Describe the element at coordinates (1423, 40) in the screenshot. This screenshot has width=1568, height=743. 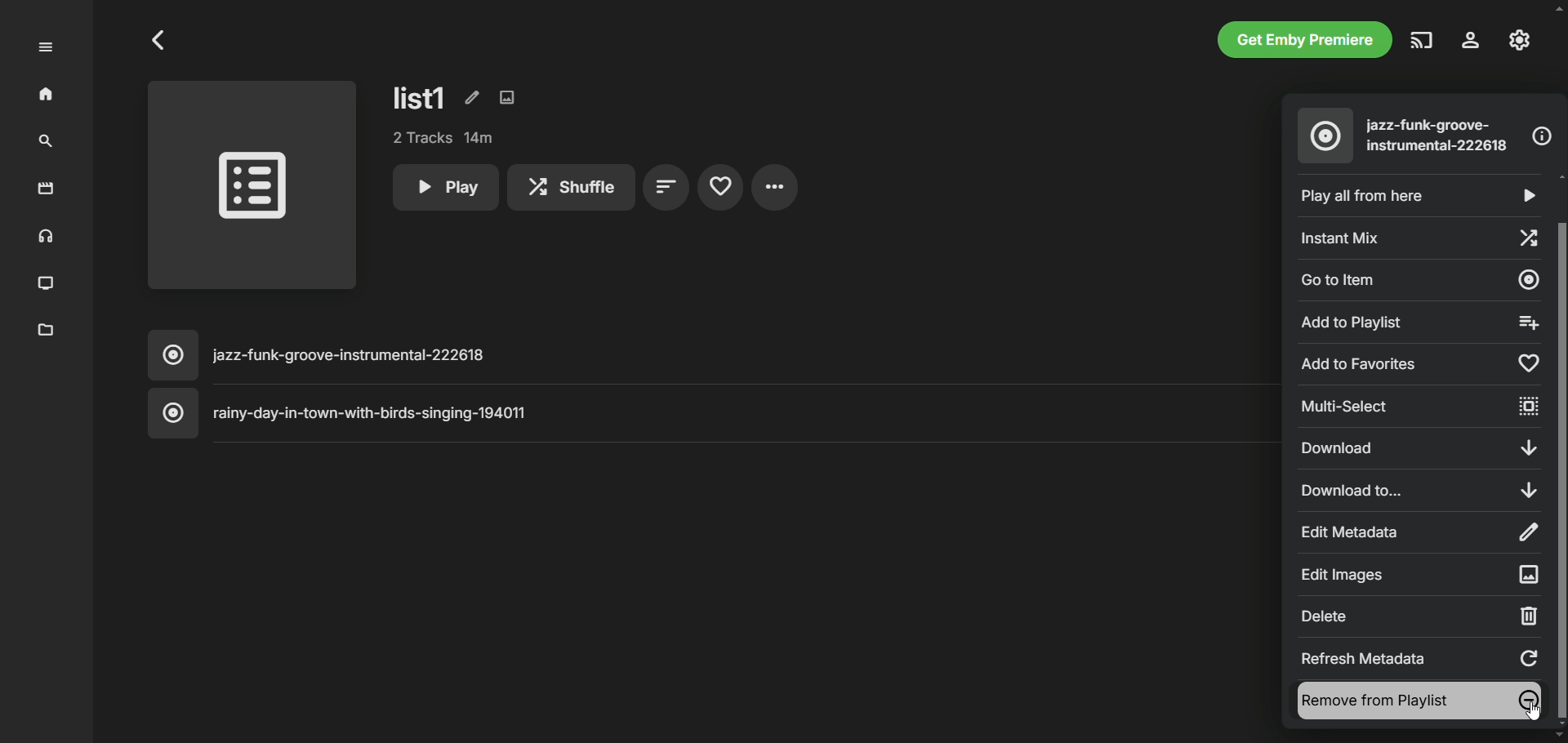
I see `play on another device` at that location.